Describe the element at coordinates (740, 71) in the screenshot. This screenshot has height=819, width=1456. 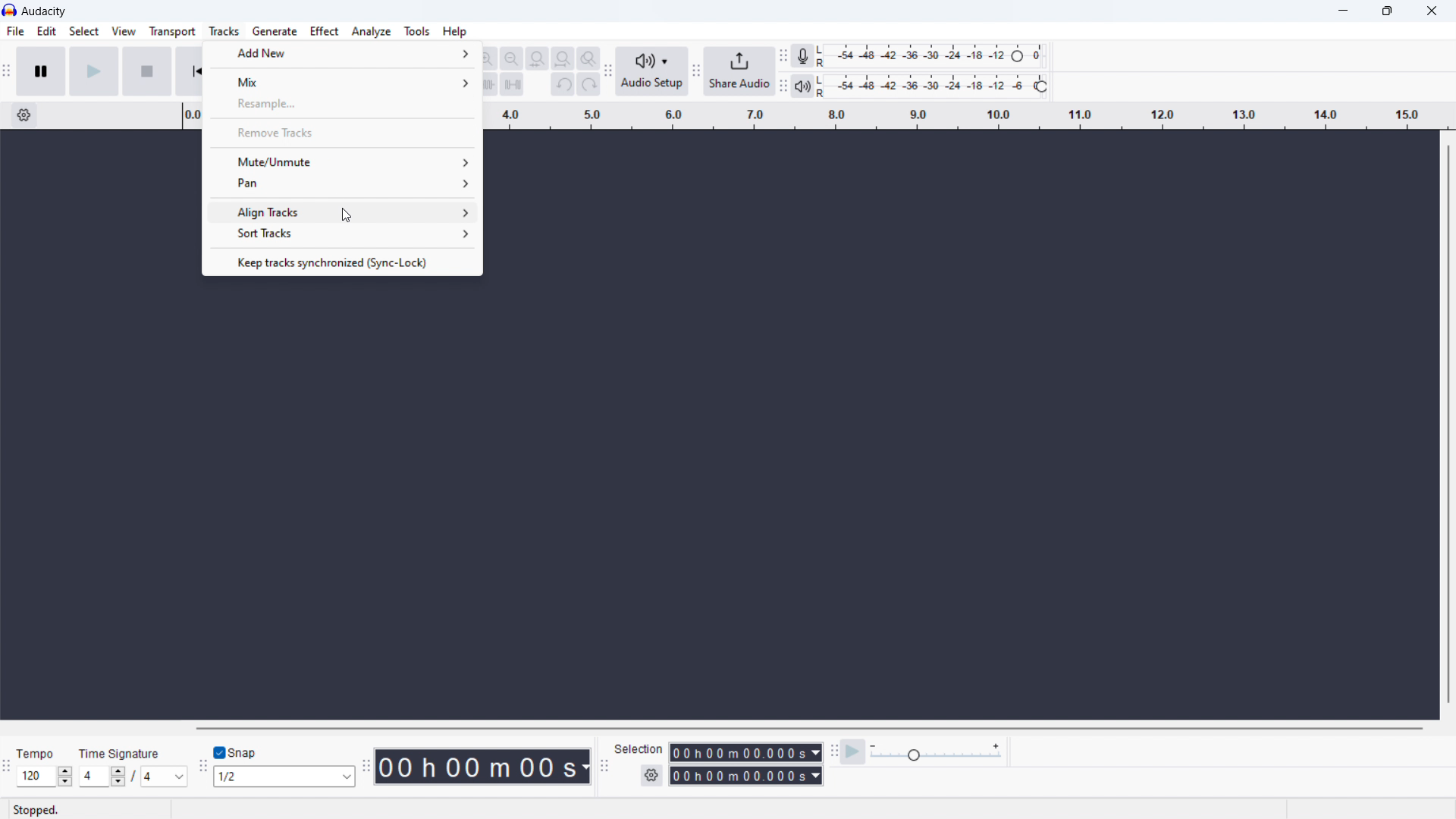
I see `share audio` at that location.